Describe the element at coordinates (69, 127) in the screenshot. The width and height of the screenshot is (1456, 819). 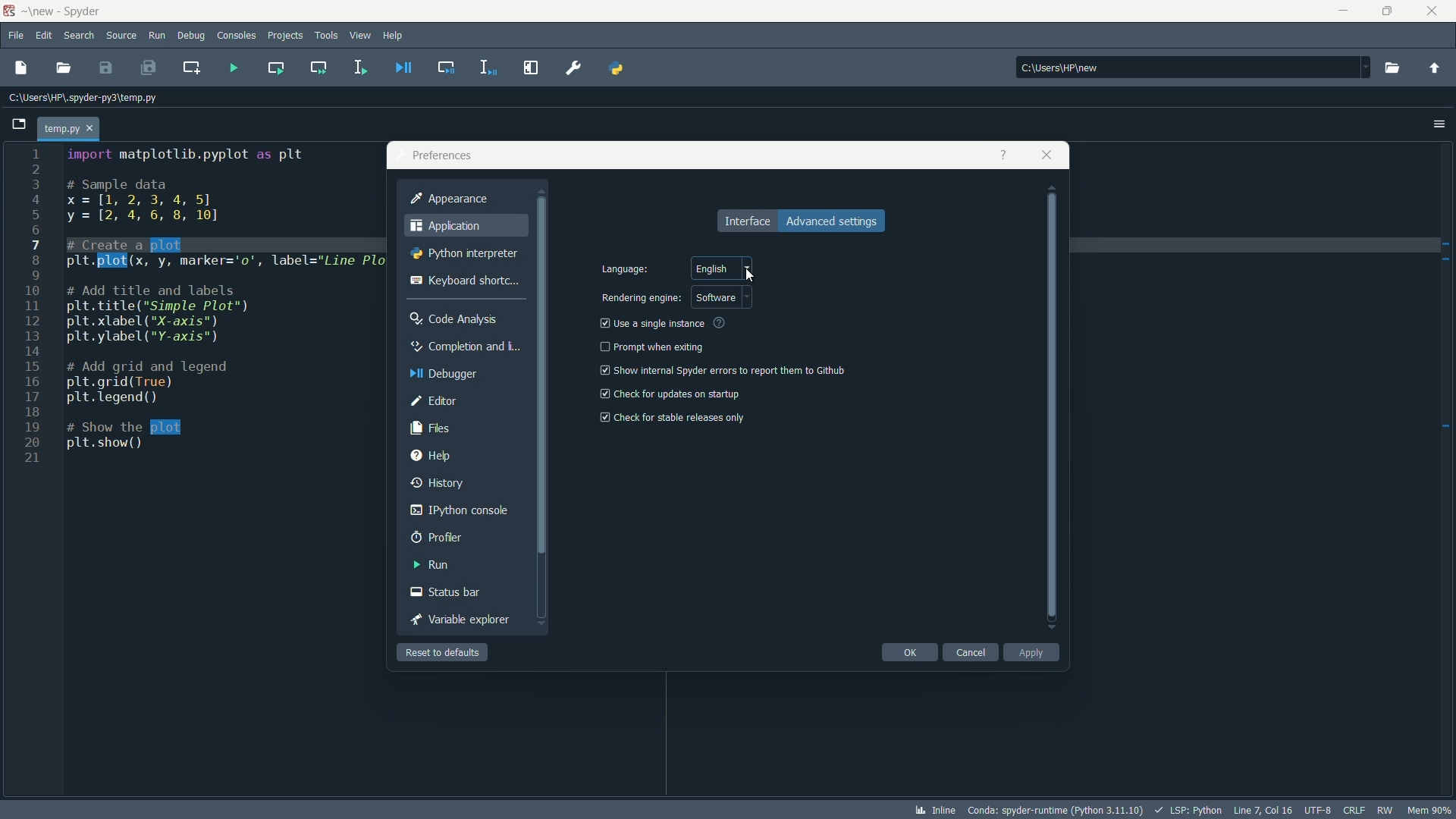
I see `temp.py` at that location.